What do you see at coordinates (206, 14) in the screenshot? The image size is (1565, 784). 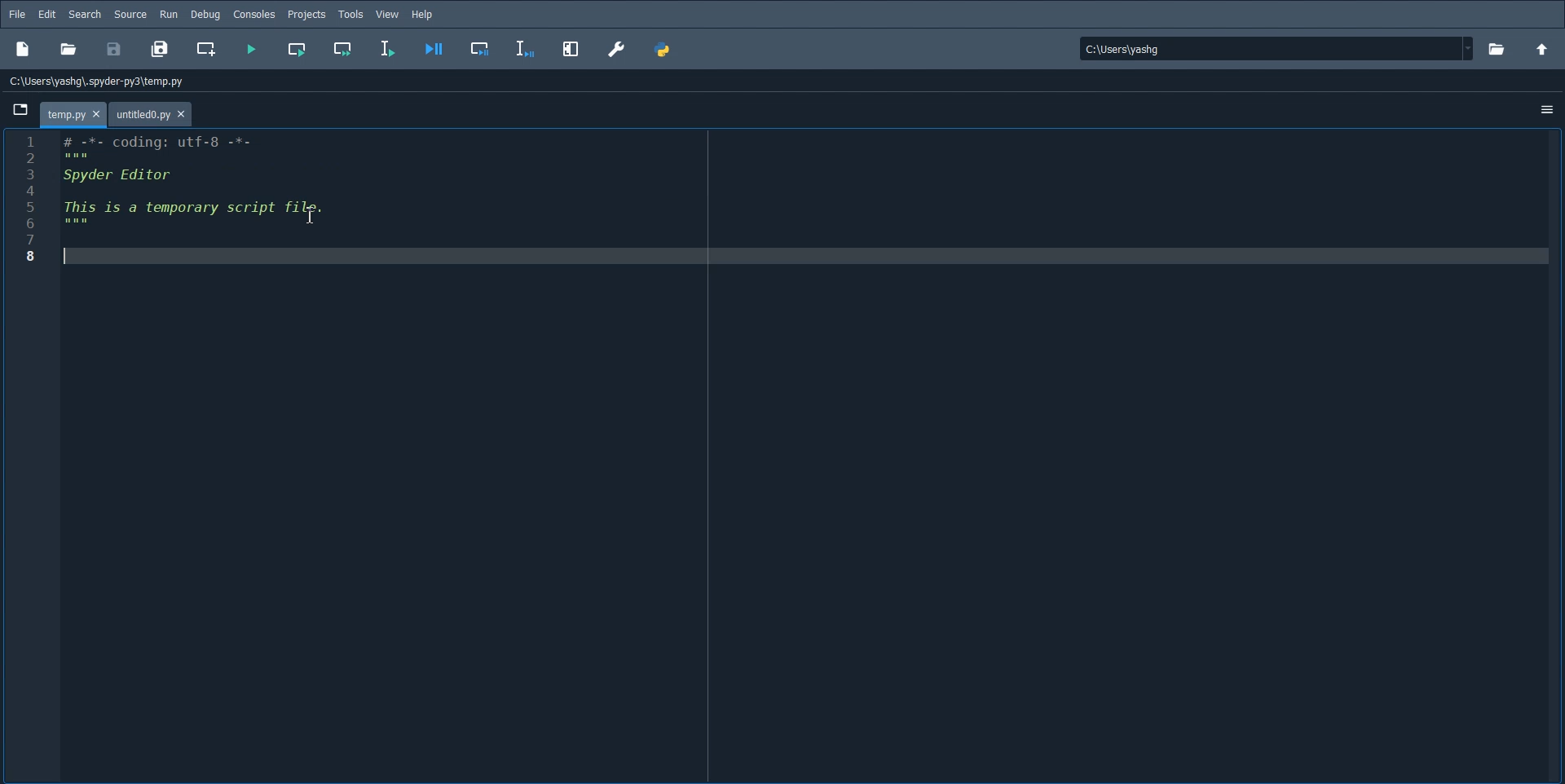 I see `Debug` at bounding box center [206, 14].